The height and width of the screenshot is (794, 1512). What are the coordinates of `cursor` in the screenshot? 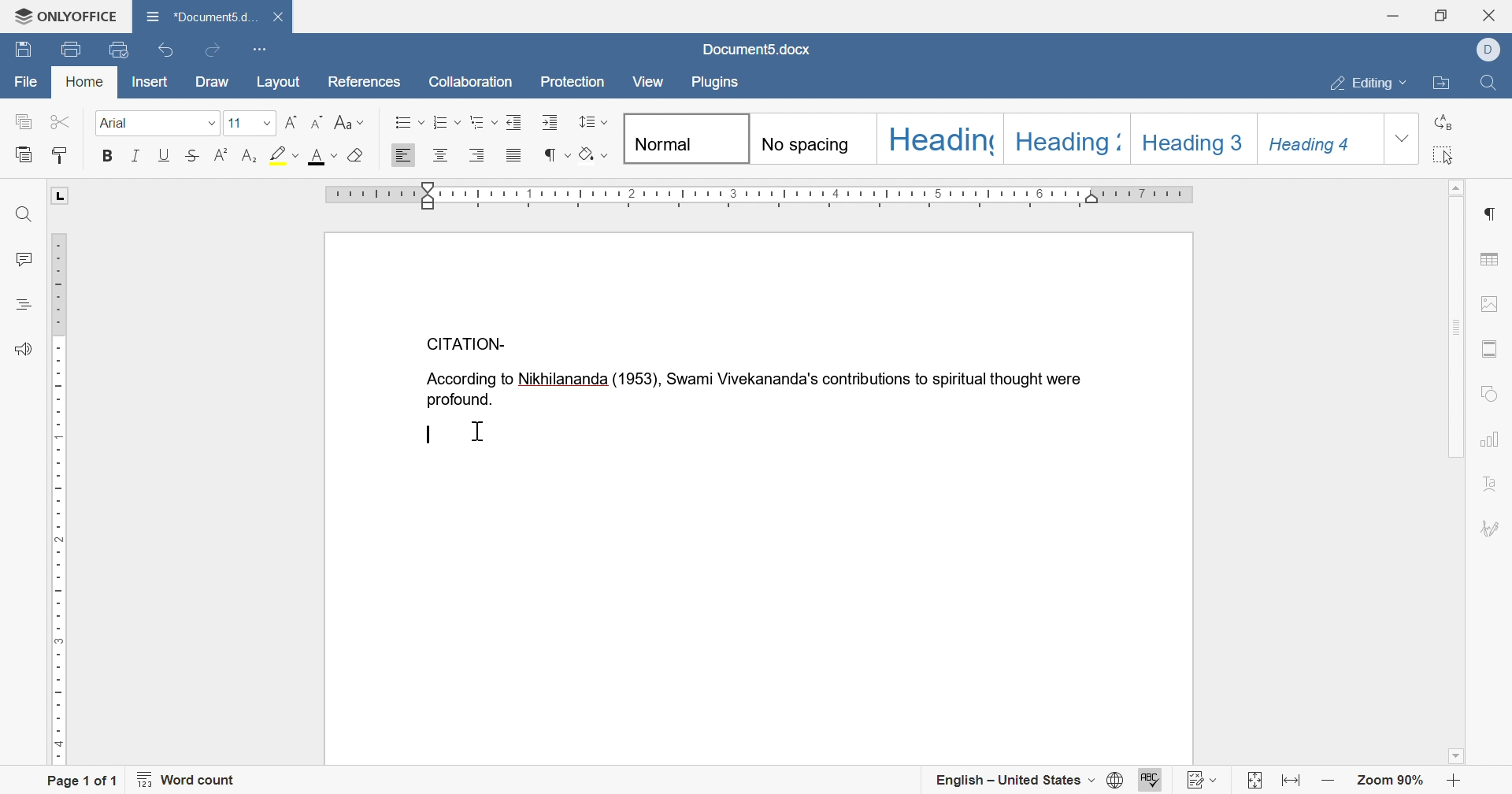 It's located at (480, 431).